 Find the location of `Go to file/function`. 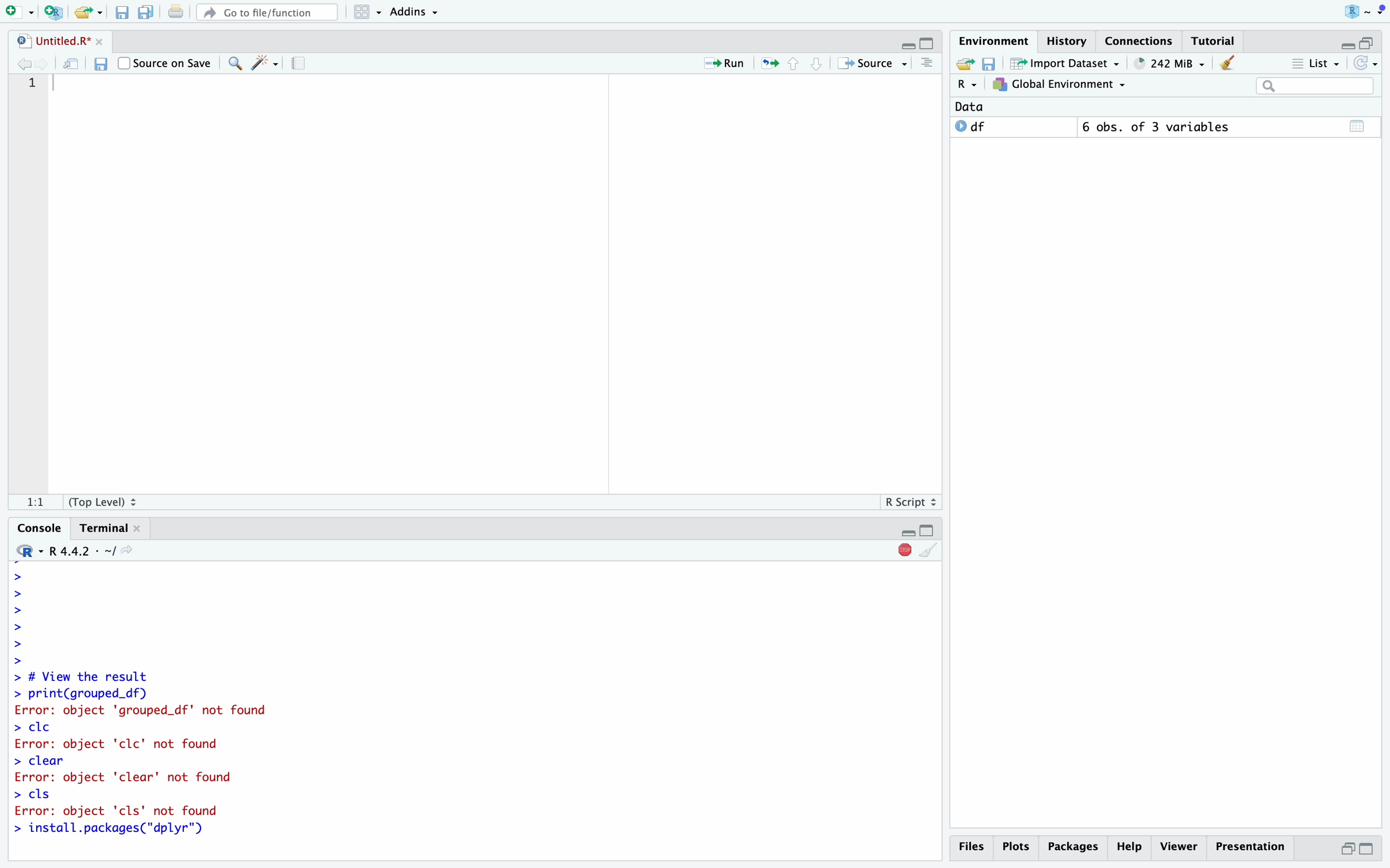

Go to file/function is located at coordinates (265, 13).